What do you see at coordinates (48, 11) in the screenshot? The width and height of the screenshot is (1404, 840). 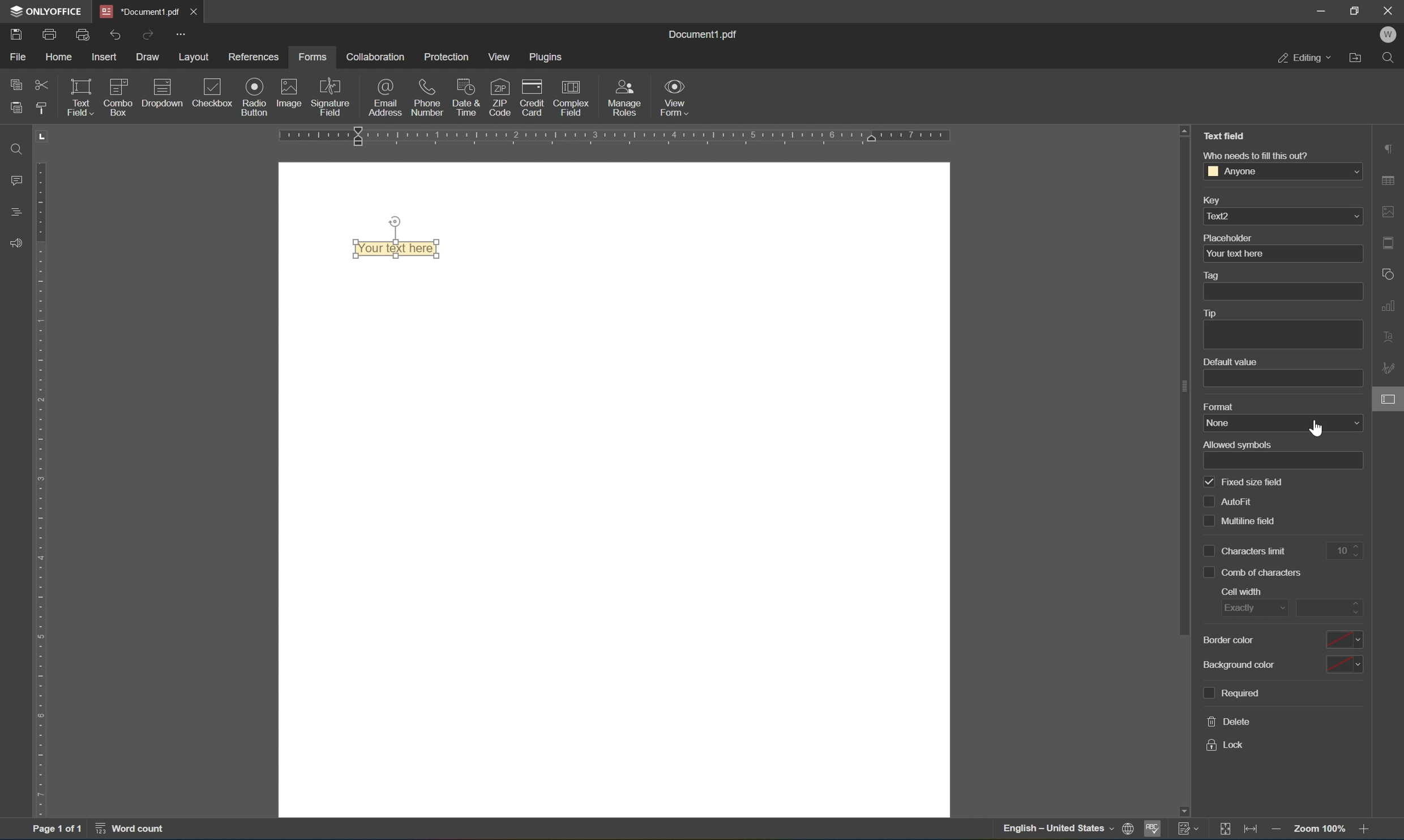 I see `ONLYOFFICE` at bounding box center [48, 11].